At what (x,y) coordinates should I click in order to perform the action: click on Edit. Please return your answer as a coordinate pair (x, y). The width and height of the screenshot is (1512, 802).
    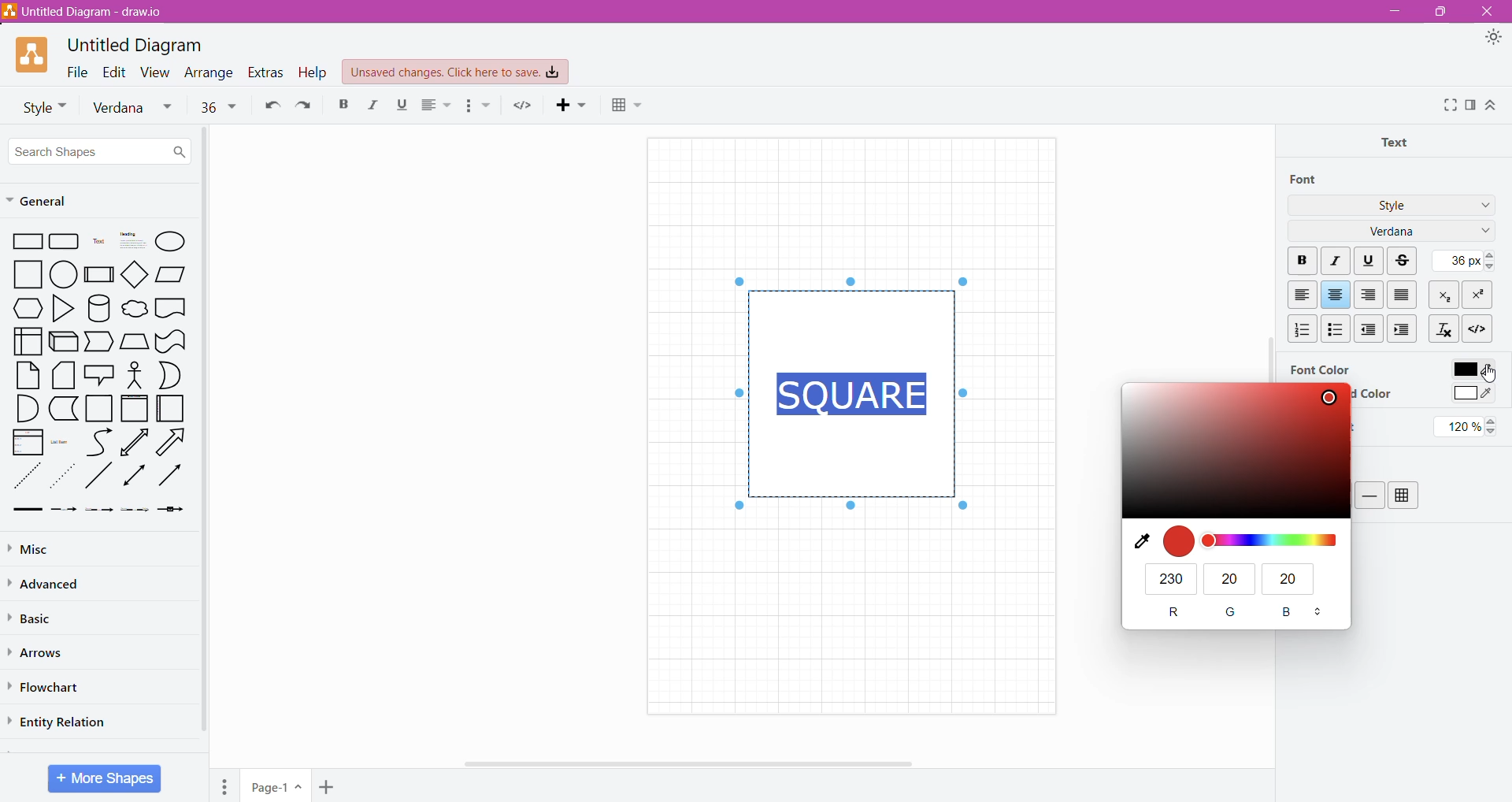
    Looking at the image, I should click on (115, 71).